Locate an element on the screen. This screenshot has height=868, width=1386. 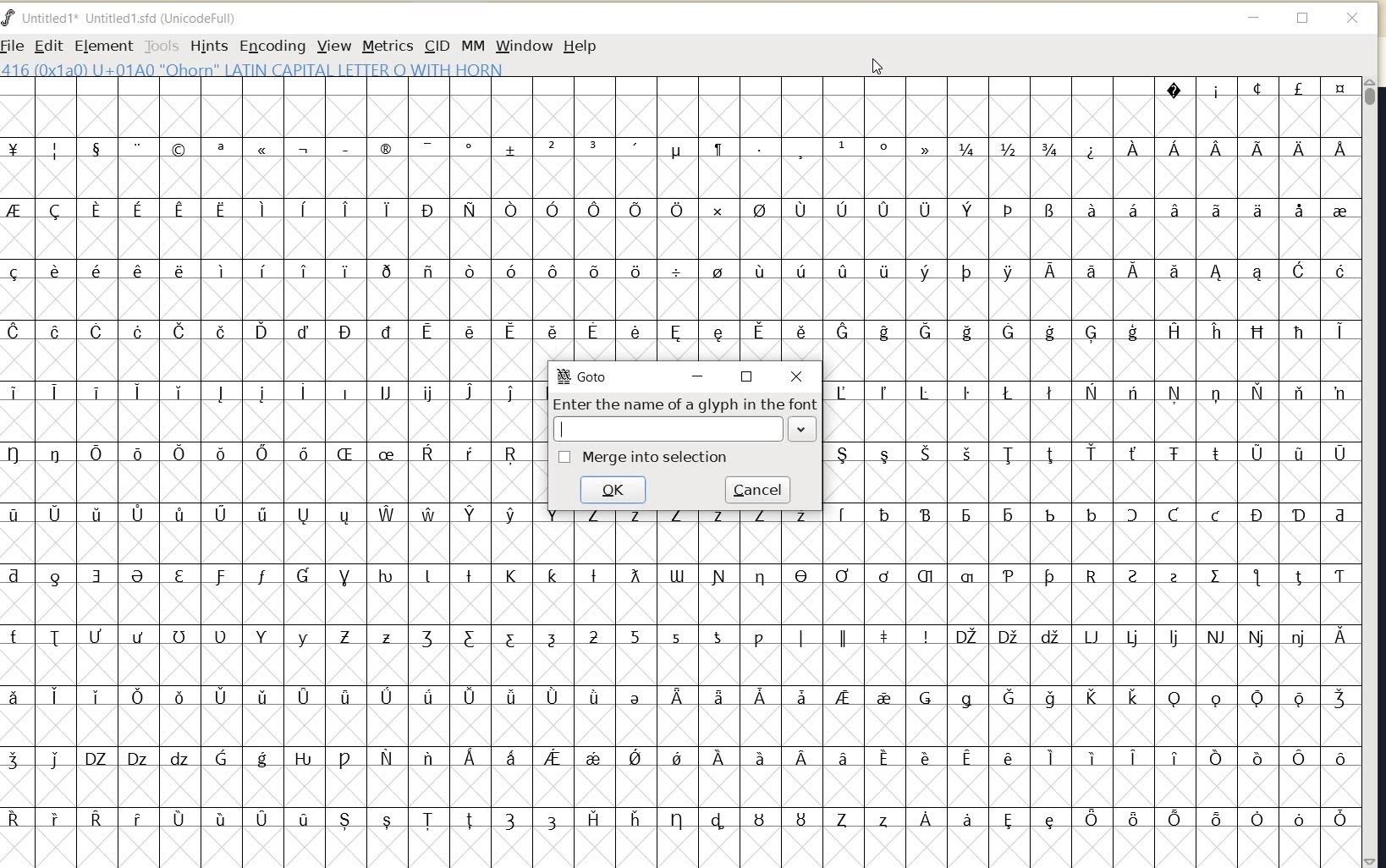
fontforge logo is located at coordinates (8, 20).